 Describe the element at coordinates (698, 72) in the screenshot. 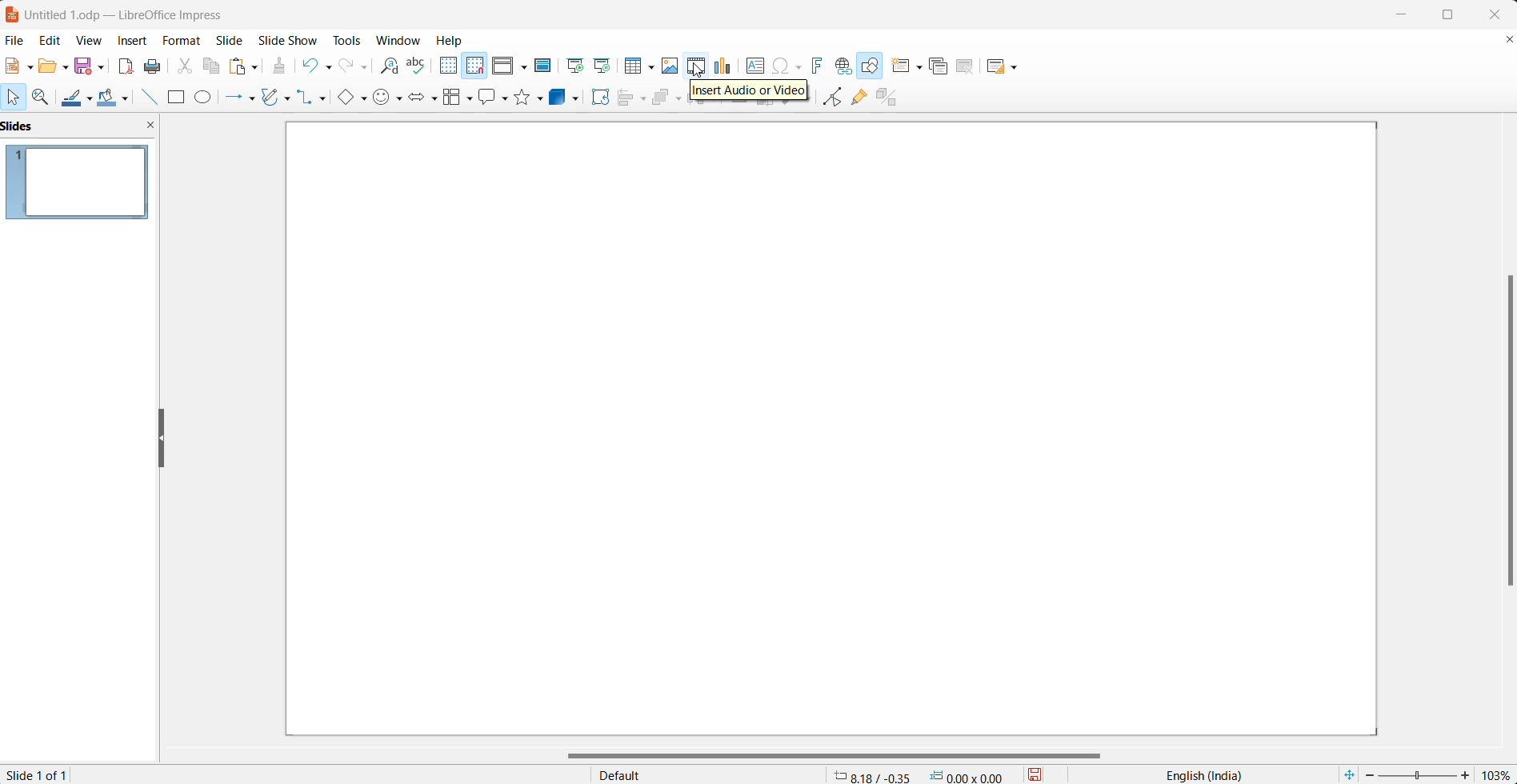

I see `cursor` at that location.